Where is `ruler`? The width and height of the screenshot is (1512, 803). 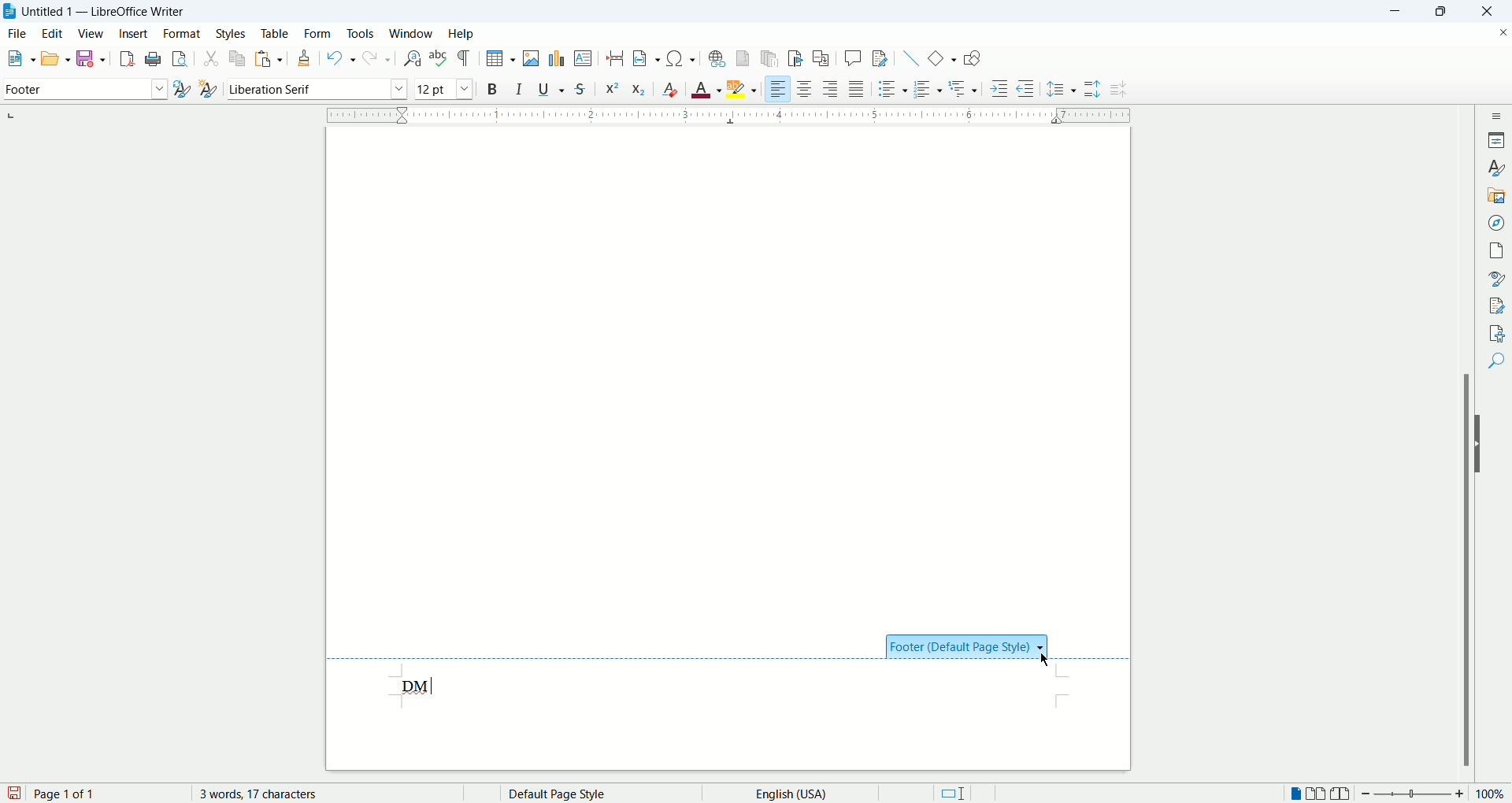
ruler is located at coordinates (728, 113).